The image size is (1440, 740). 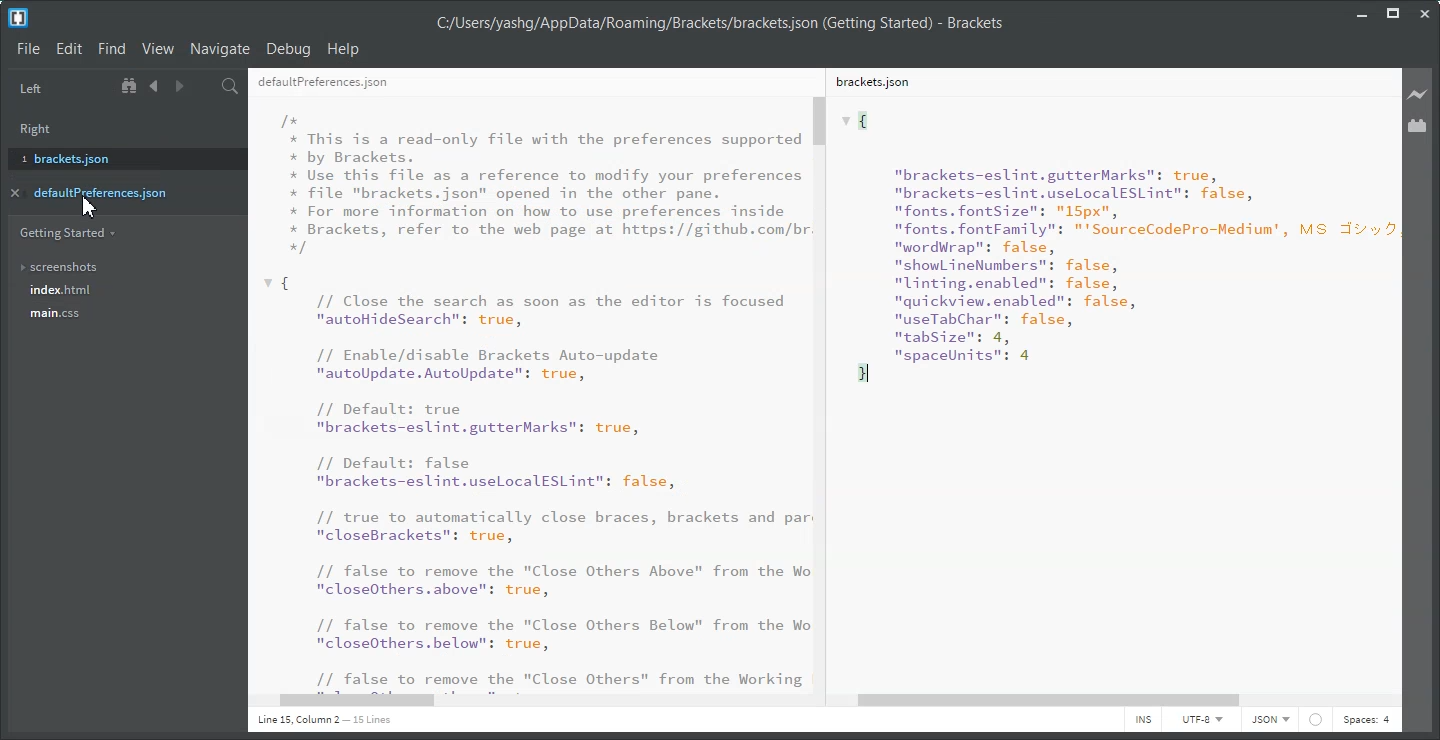 What do you see at coordinates (28, 48) in the screenshot?
I see `File` at bounding box center [28, 48].